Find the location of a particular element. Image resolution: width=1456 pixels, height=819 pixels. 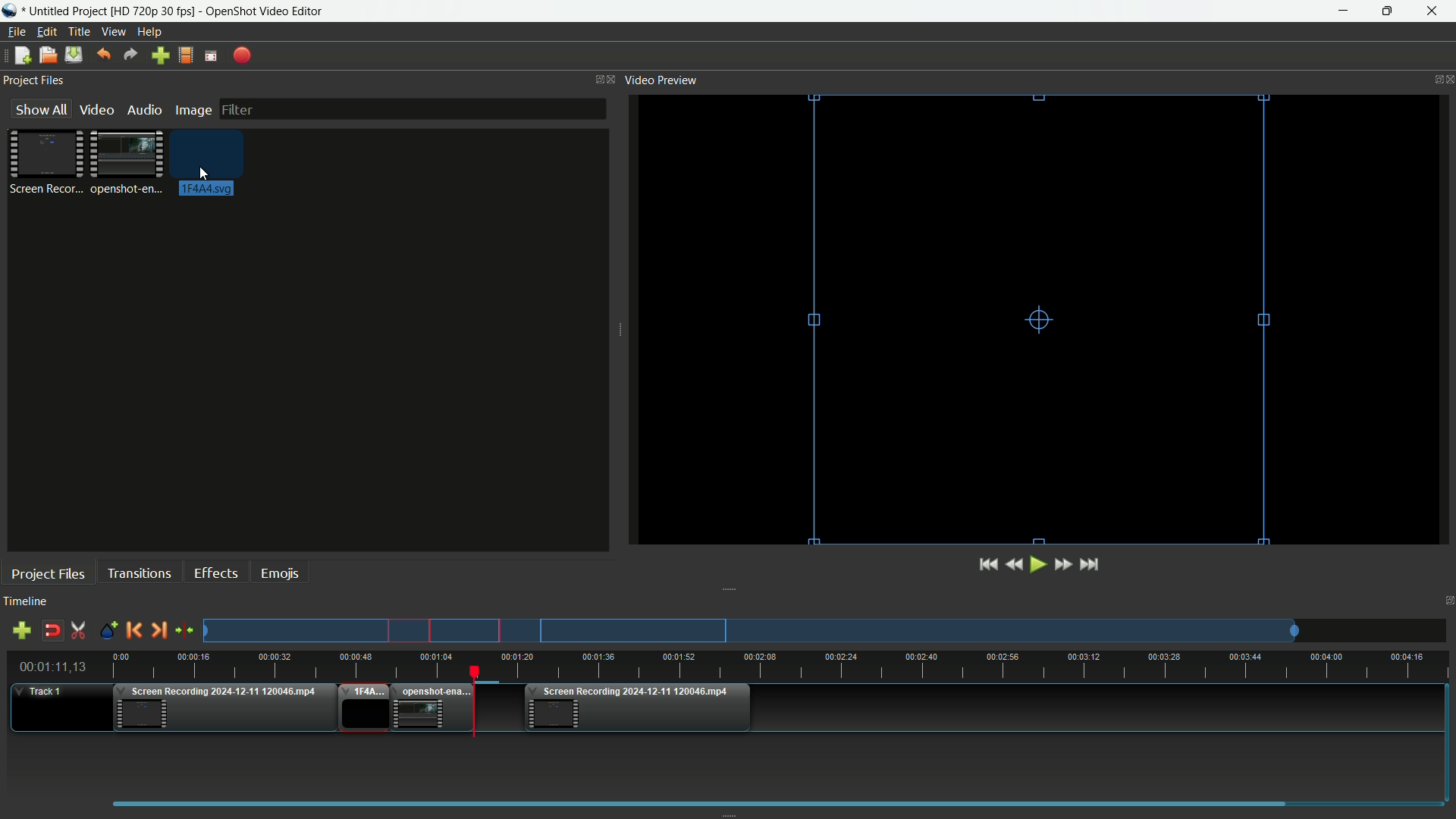

Project file one is located at coordinates (49, 161).